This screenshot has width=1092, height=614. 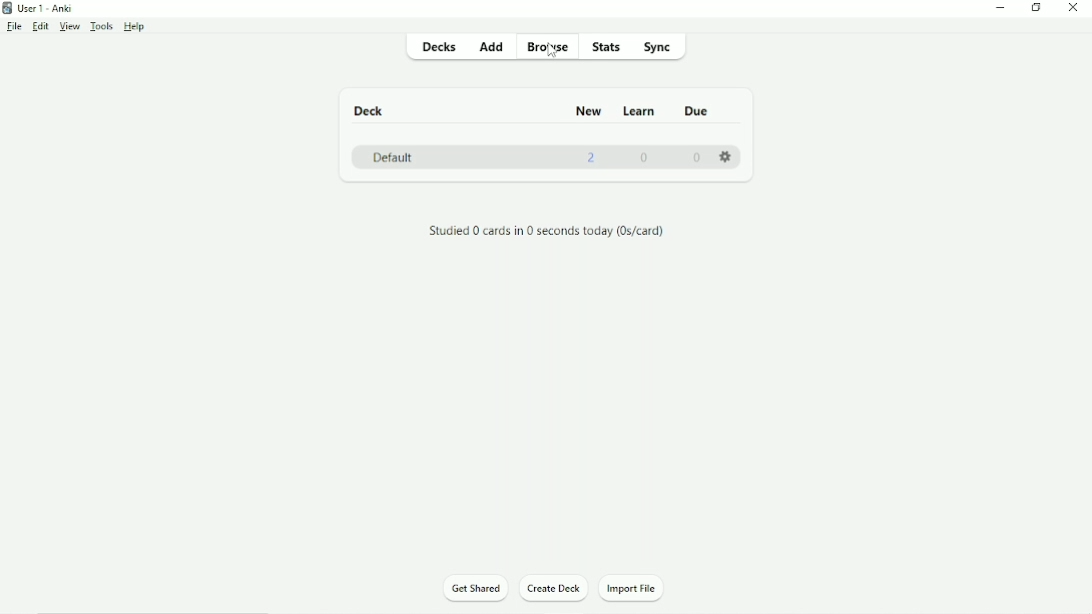 I want to click on User 1 - Anki, so click(x=42, y=8).